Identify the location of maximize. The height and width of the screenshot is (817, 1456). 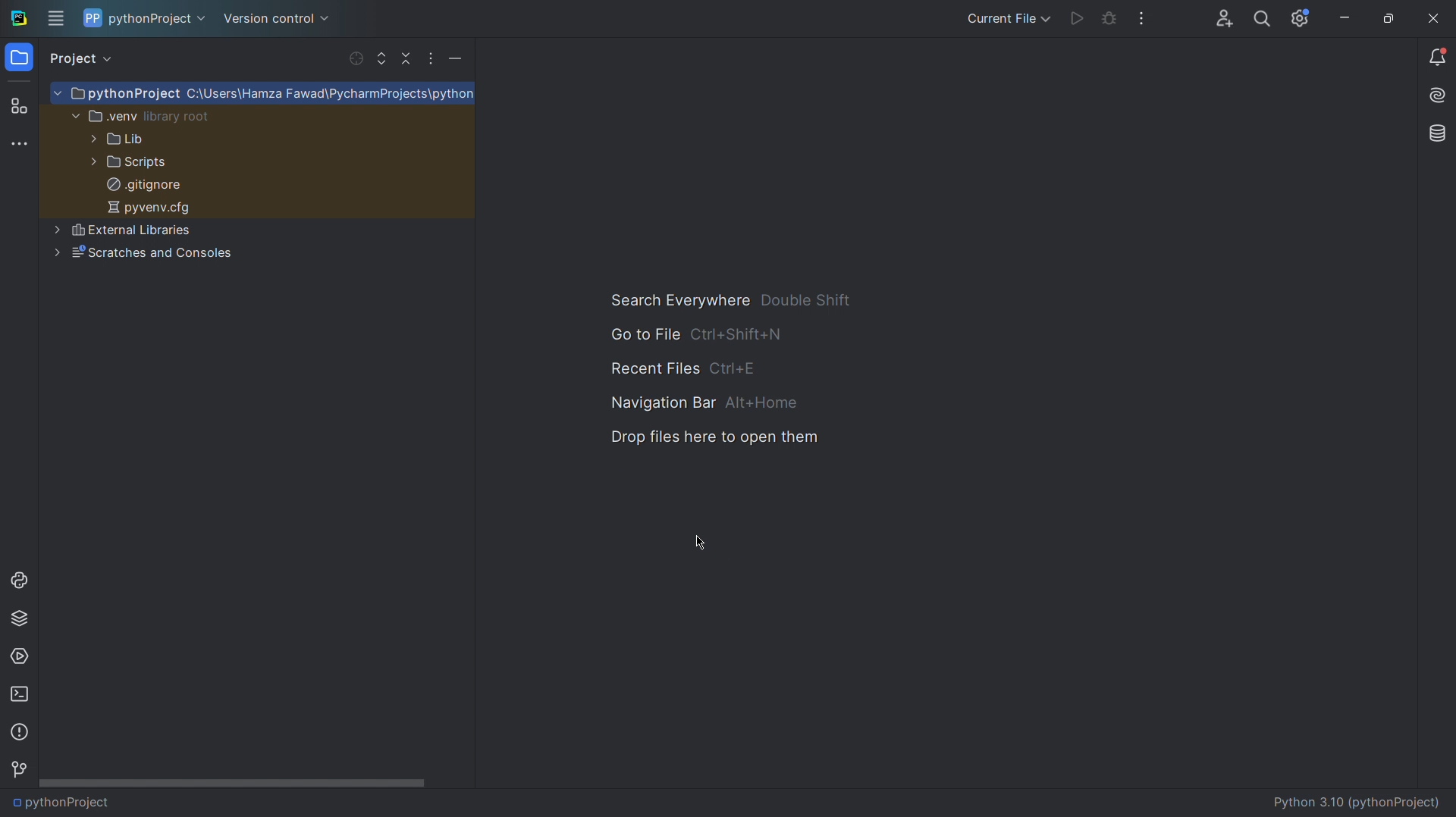
(1388, 21).